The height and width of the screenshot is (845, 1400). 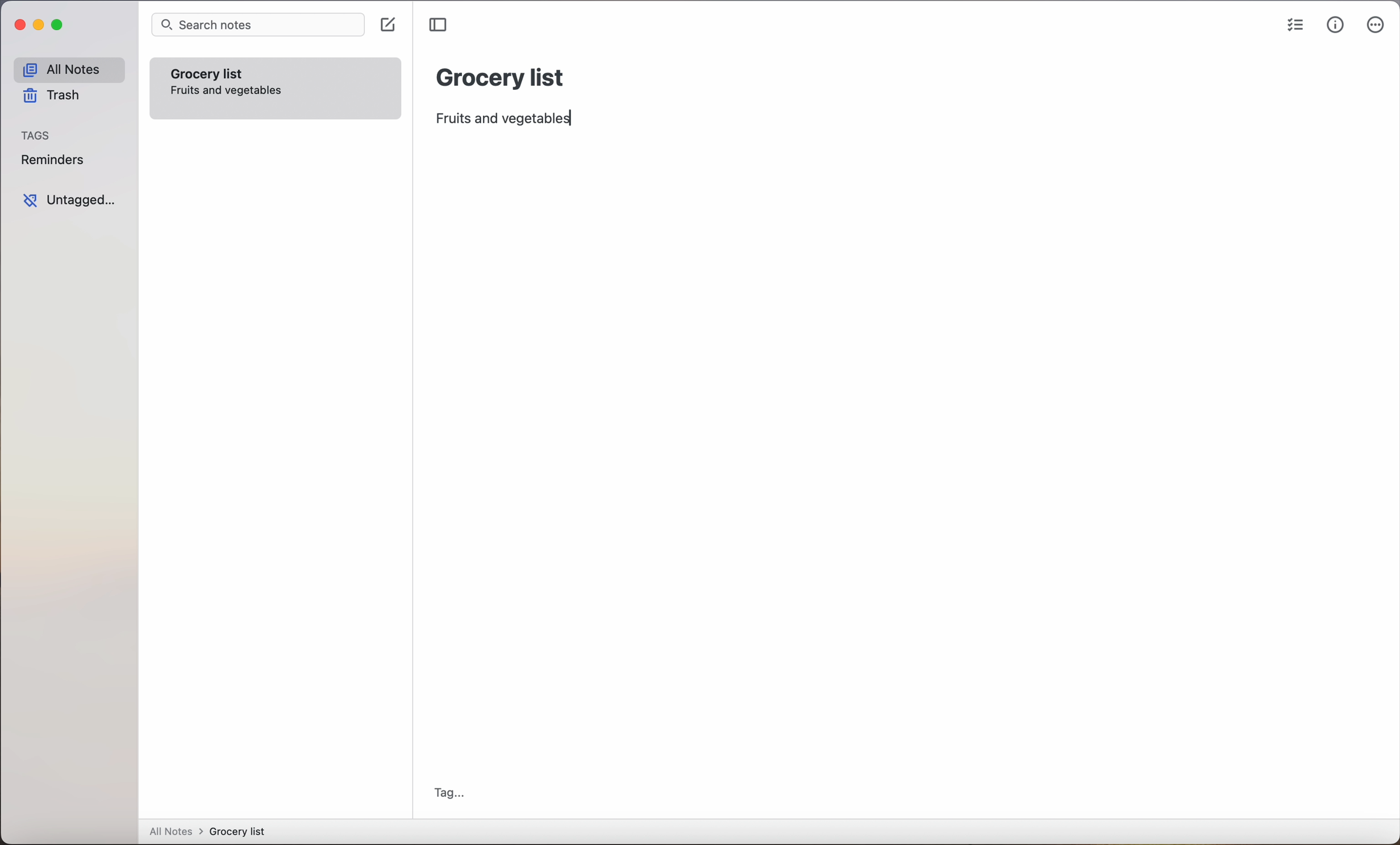 What do you see at coordinates (257, 26) in the screenshot?
I see `search bar` at bounding box center [257, 26].